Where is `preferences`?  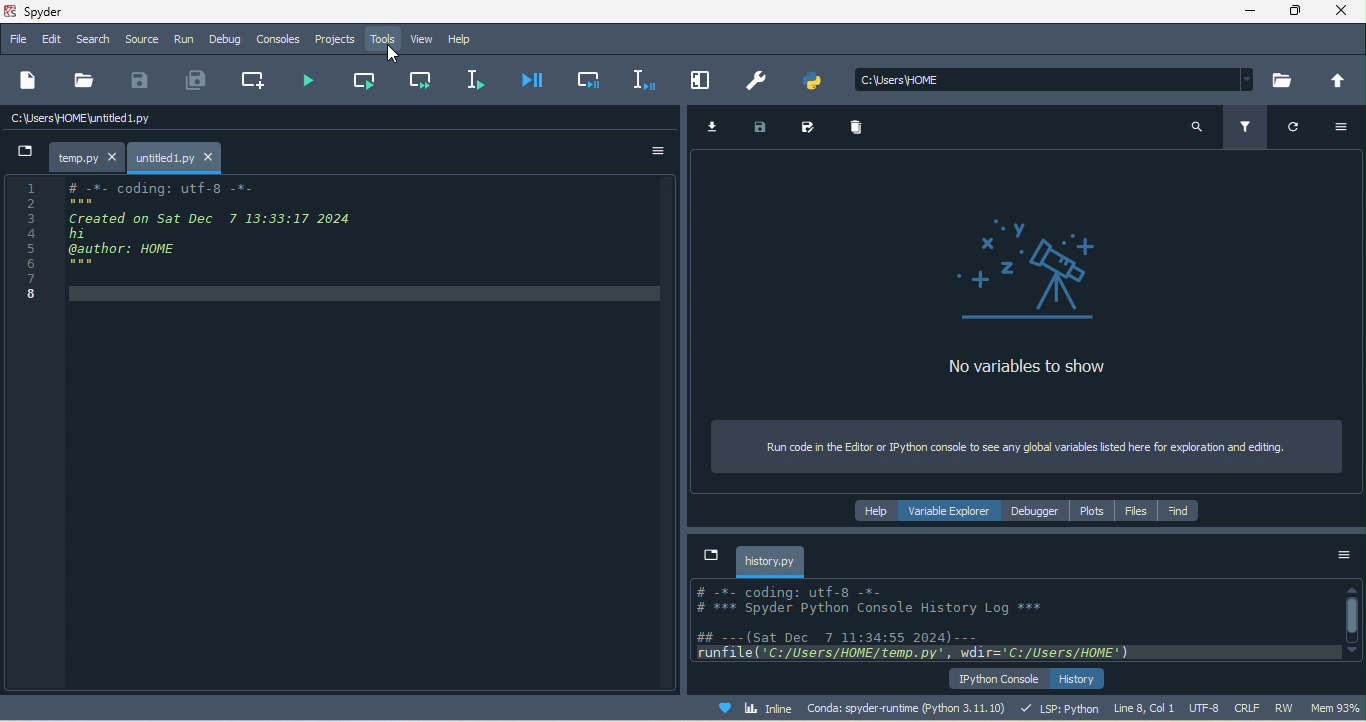 preferences is located at coordinates (759, 83).